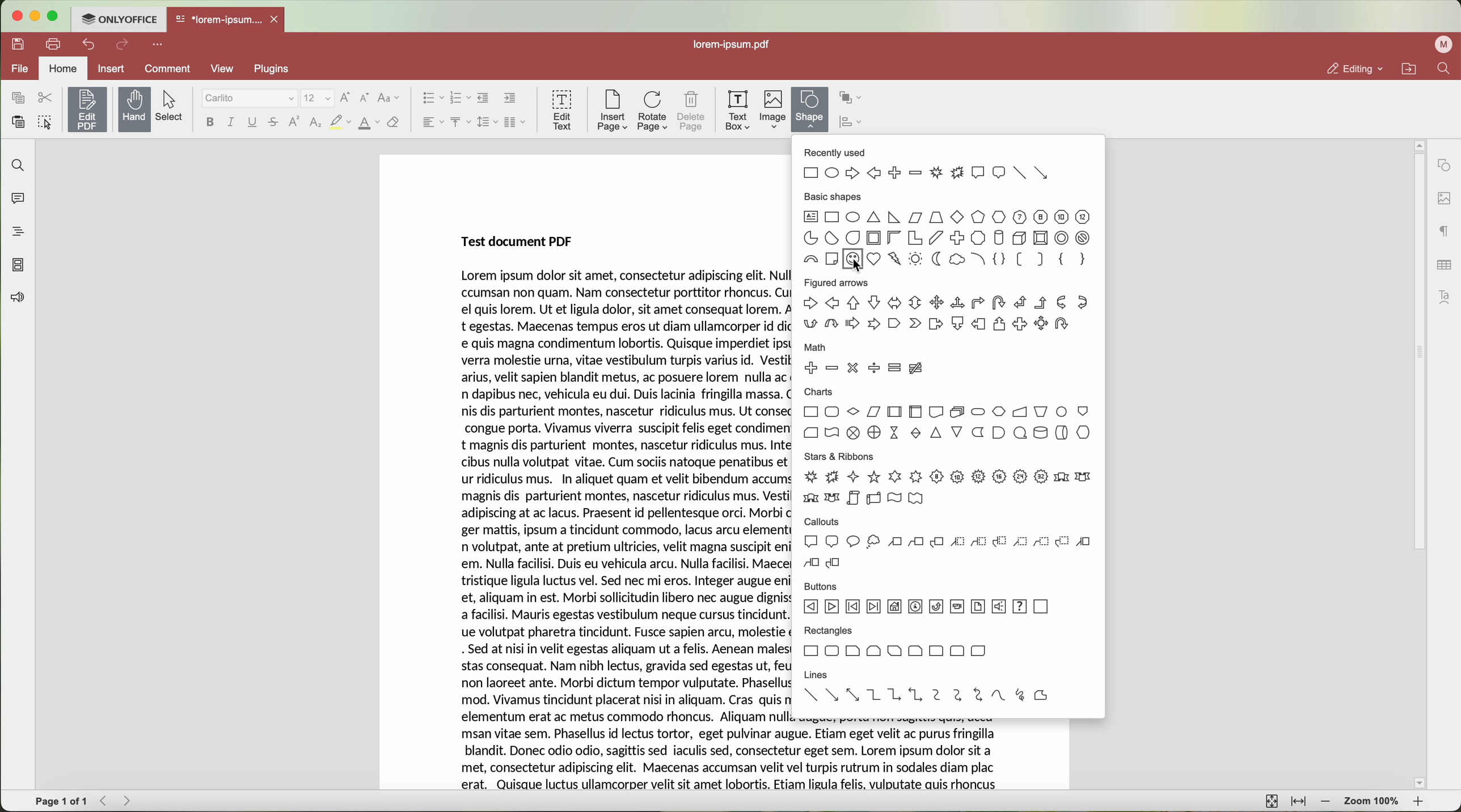 The height and width of the screenshot is (812, 1461). I want to click on subscript, so click(315, 124).